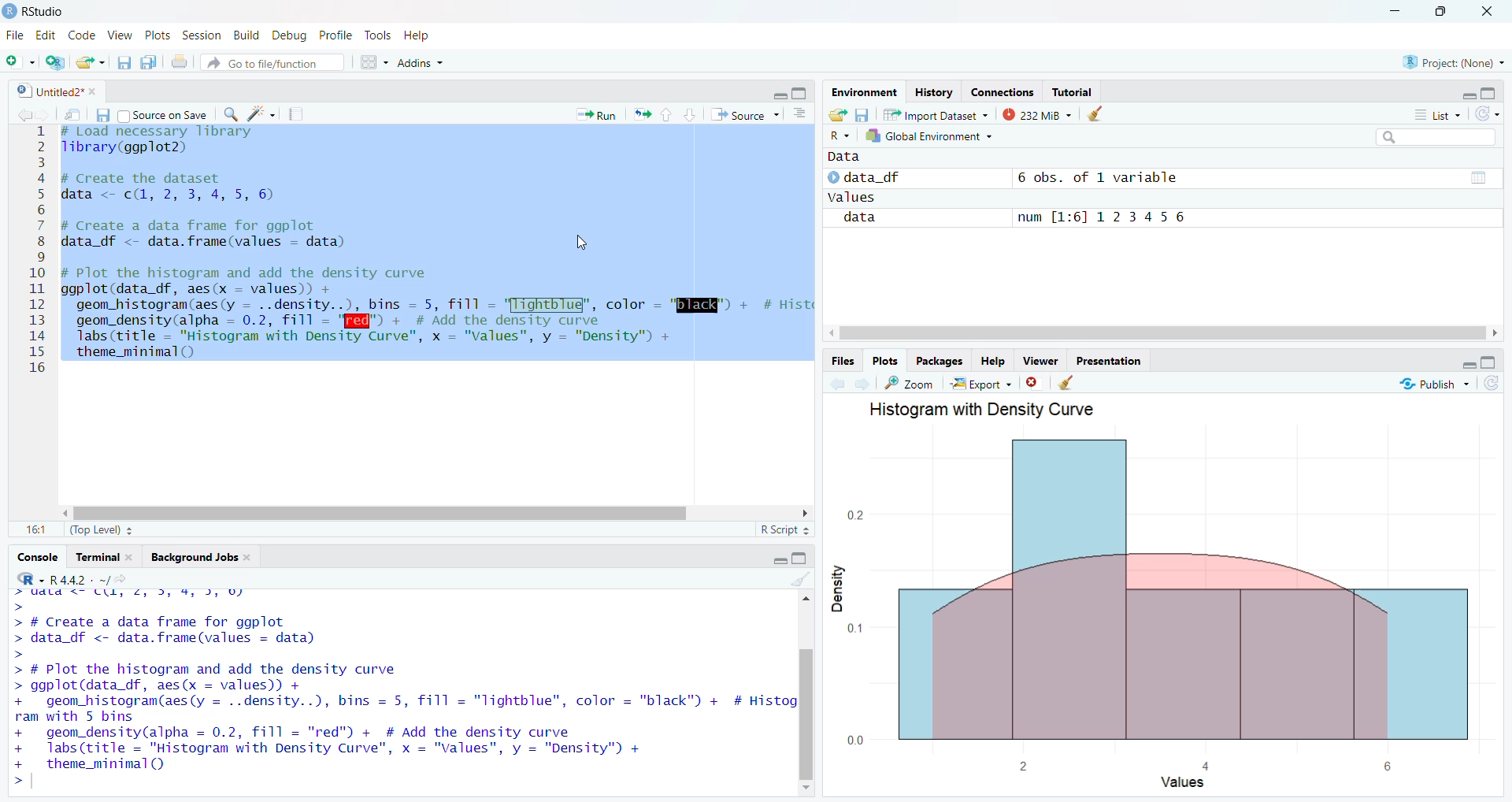 The image size is (1512, 802). Describe the element at coordinates (22, 748) in the screenshot. I see `+` at that location.